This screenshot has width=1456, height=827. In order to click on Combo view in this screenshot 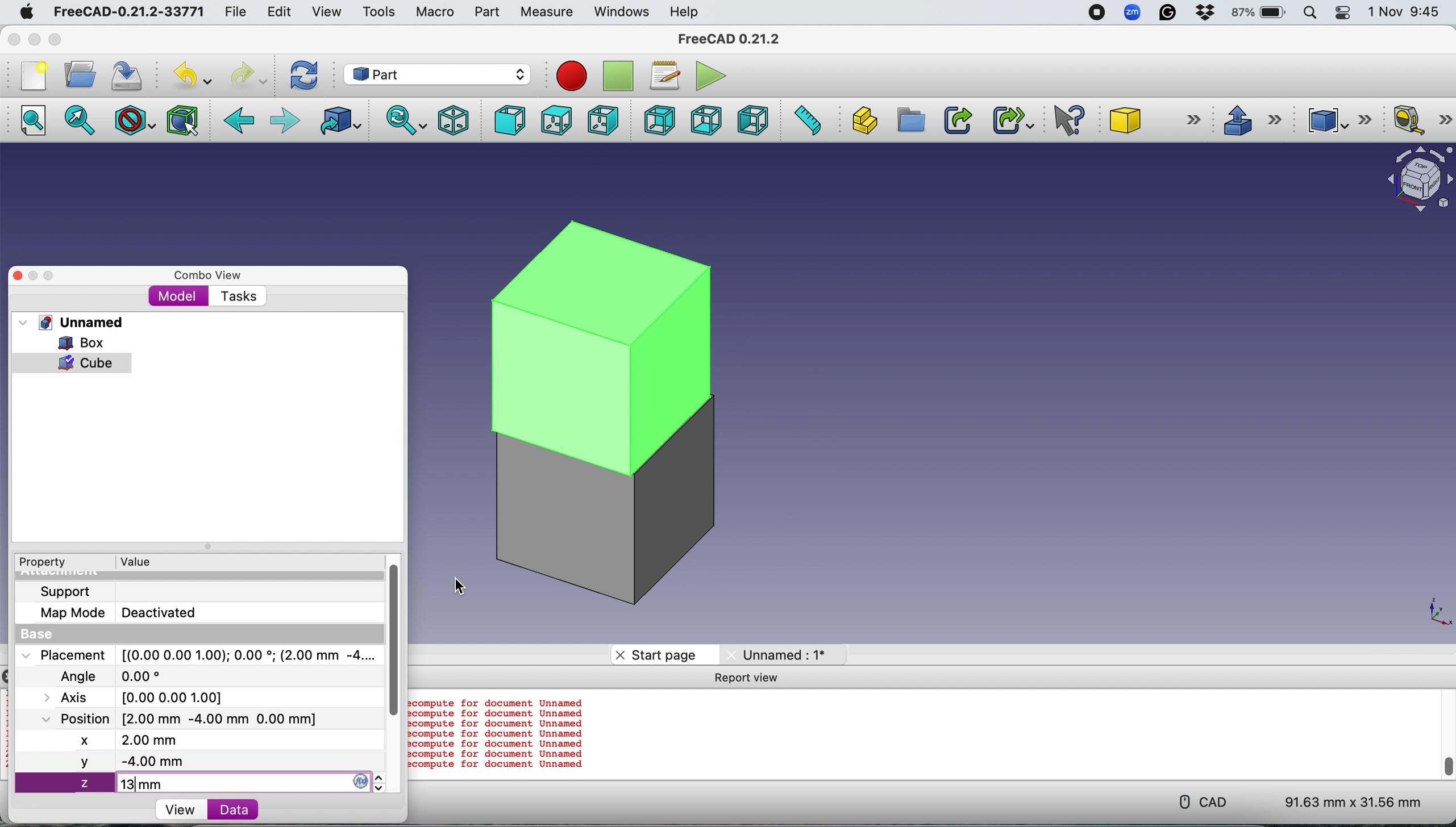, I will do `click(209, 275)`.